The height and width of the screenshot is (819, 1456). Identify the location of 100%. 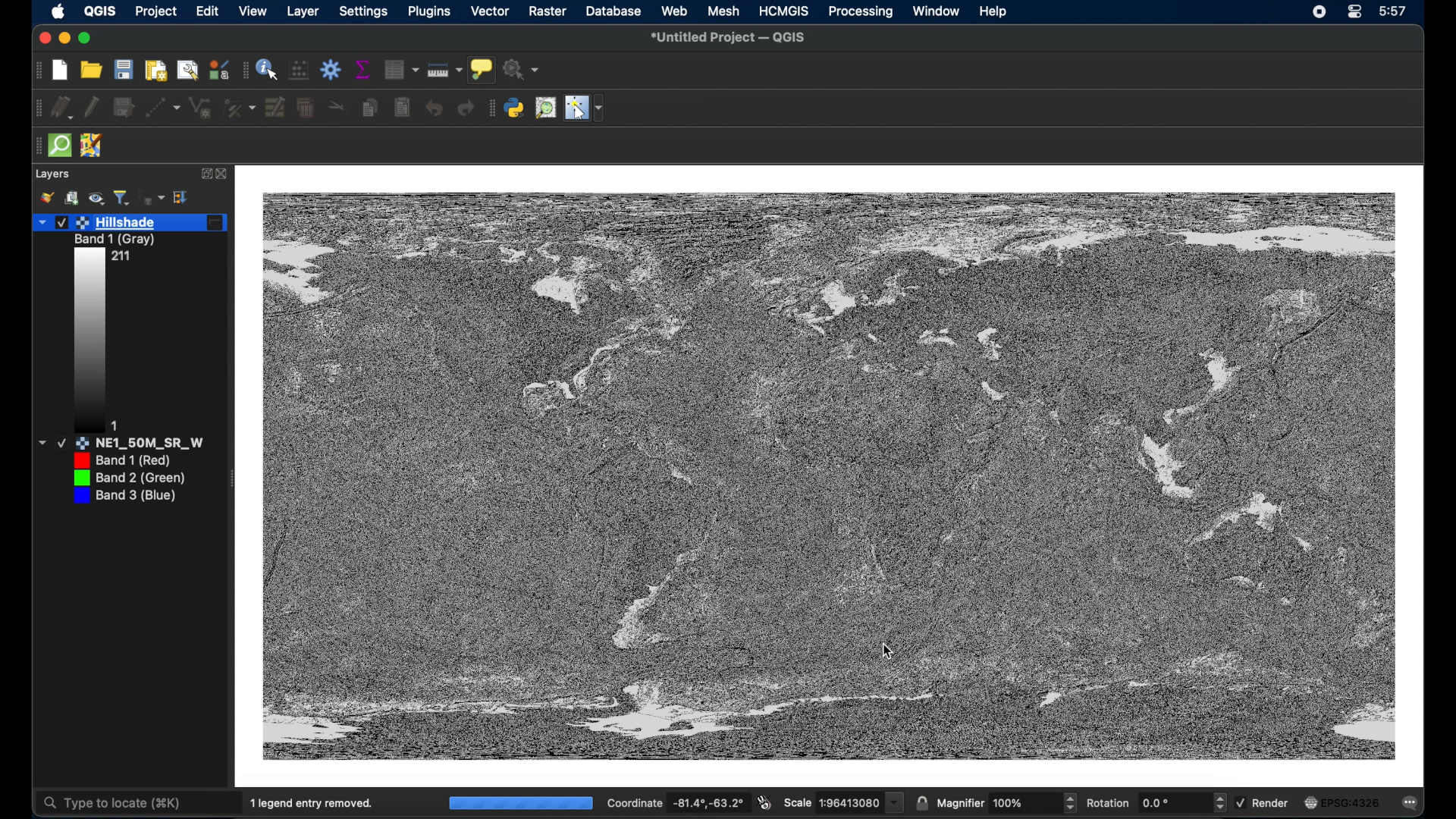
(520, 804).